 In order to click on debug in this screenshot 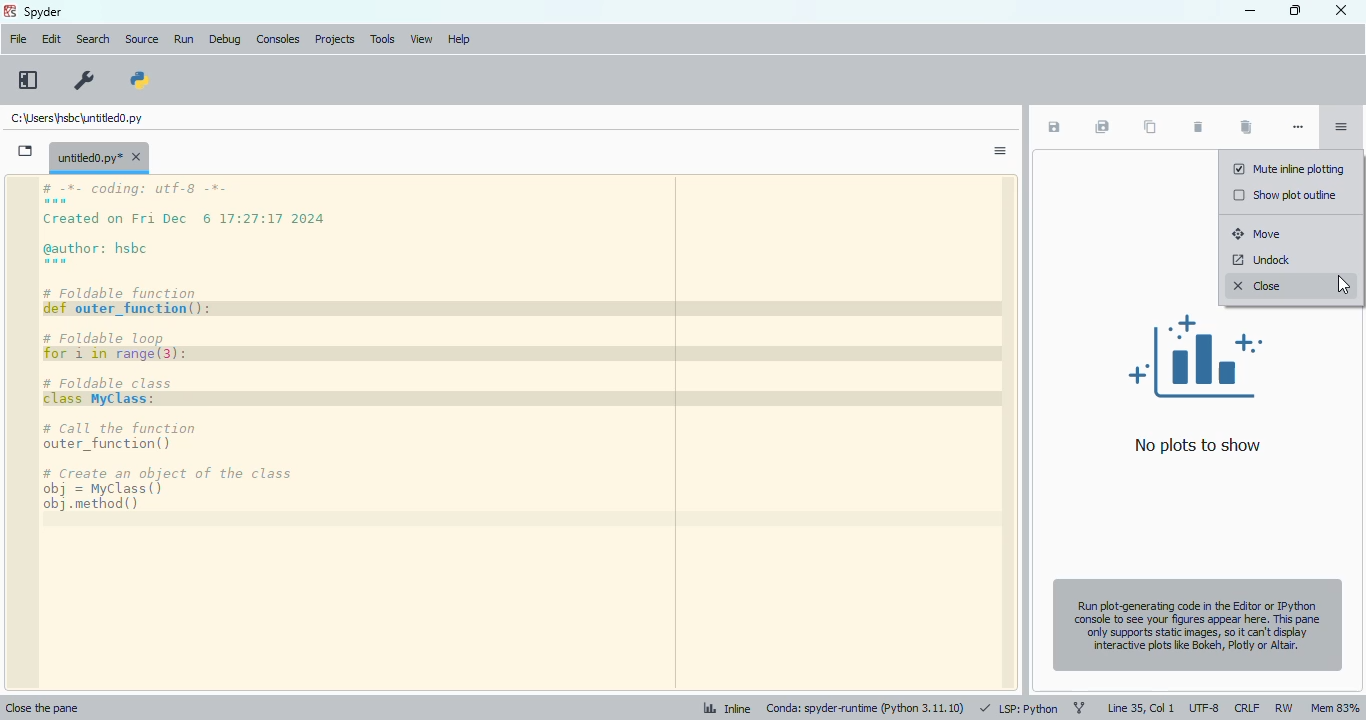, I will do `click(225, 39)`.